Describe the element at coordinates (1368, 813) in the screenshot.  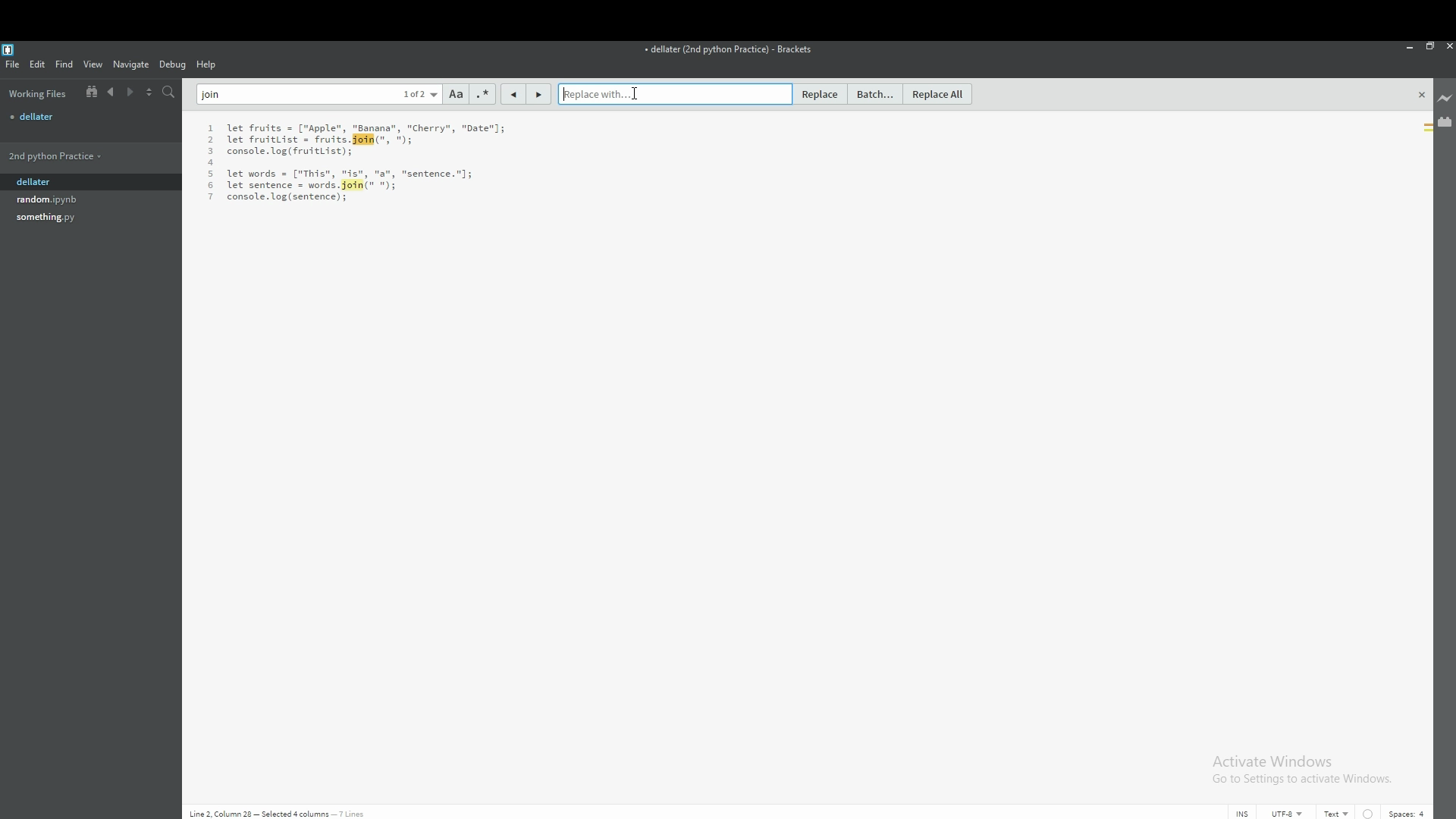
I see `indent` at that location.